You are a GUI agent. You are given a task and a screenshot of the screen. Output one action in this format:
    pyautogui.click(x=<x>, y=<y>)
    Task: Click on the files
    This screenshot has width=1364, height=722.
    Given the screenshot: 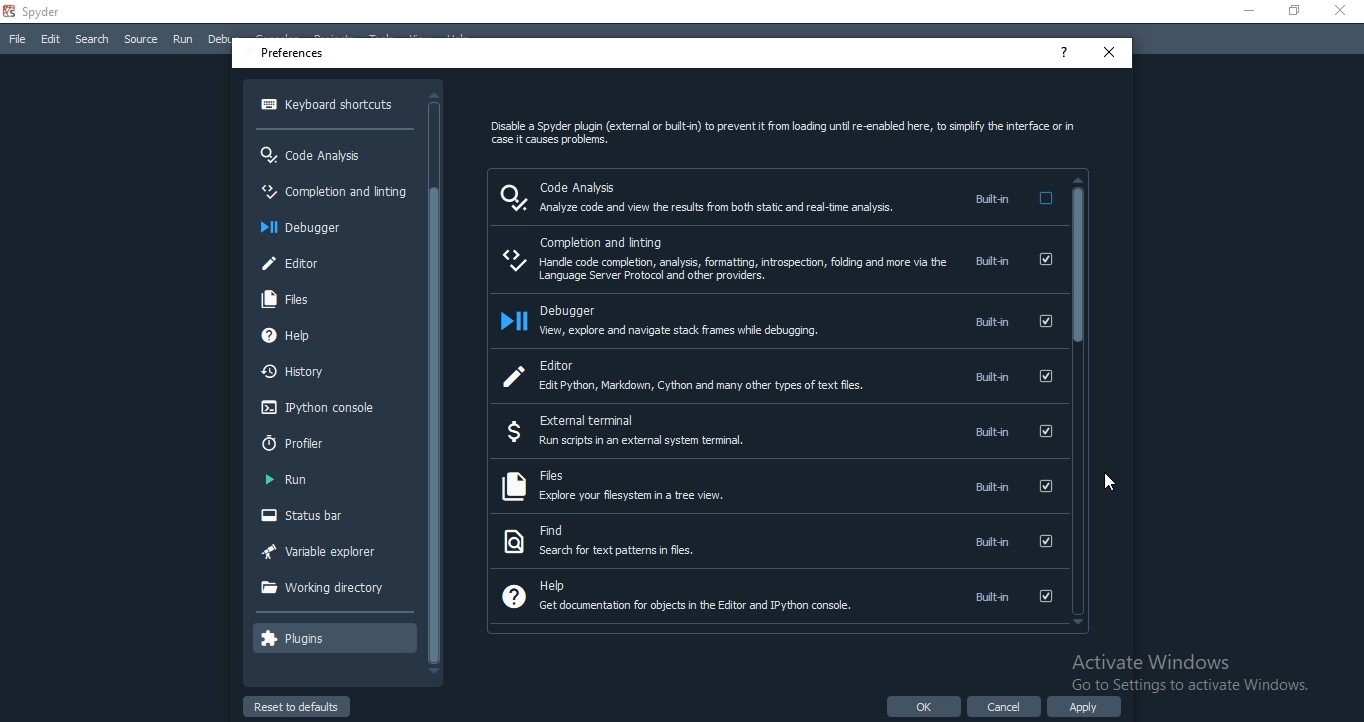 What is the action you would take?
    pyautogui.click(x=329, y=297)
    